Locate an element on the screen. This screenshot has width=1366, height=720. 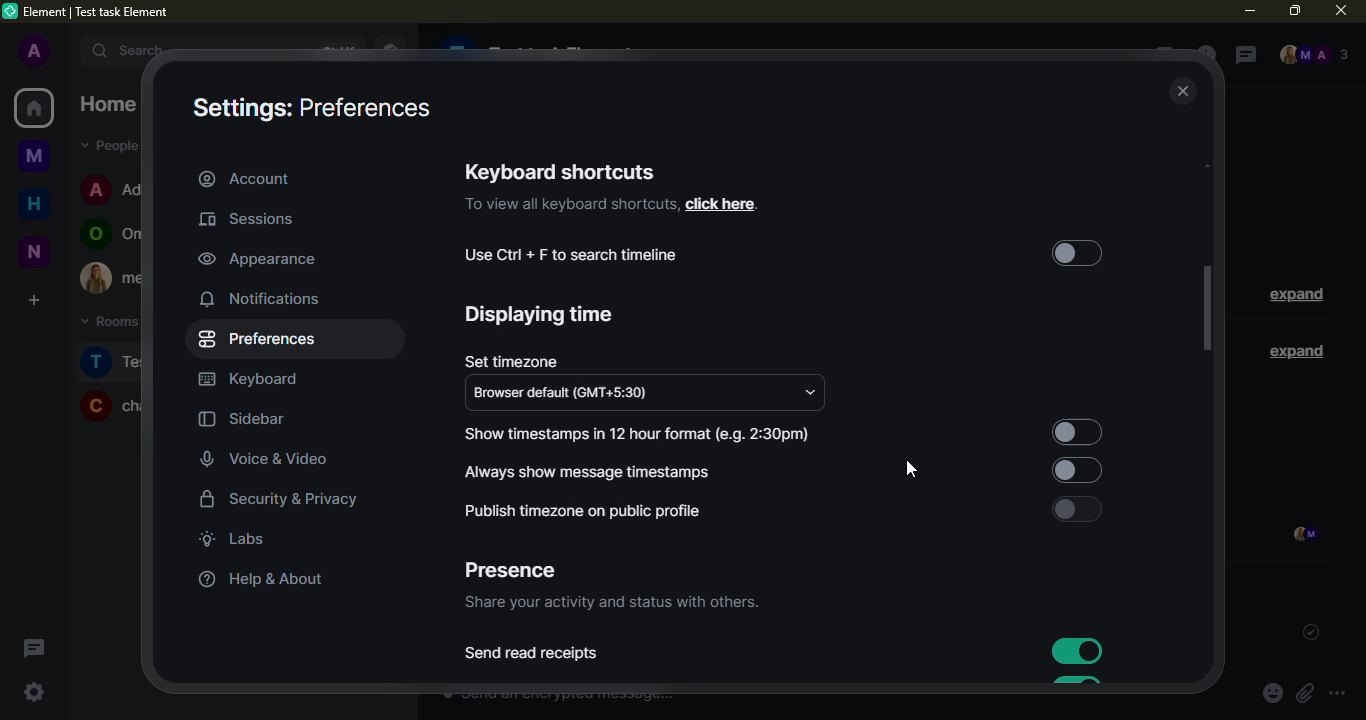
help is located at coordinates (256, 579).